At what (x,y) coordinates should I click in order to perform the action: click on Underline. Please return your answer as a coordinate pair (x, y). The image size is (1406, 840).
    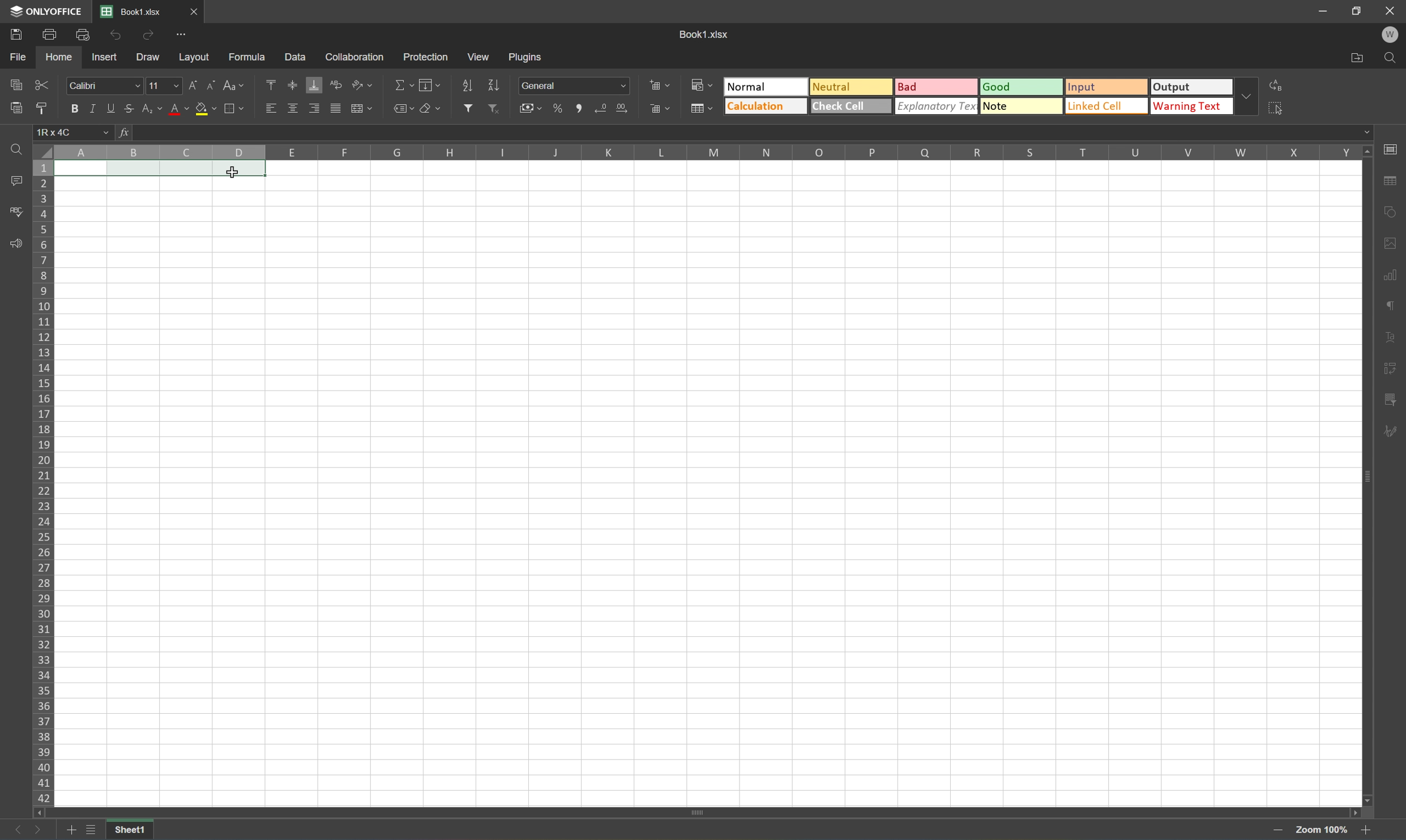
    Looking at the image, I should click on (113, 109).